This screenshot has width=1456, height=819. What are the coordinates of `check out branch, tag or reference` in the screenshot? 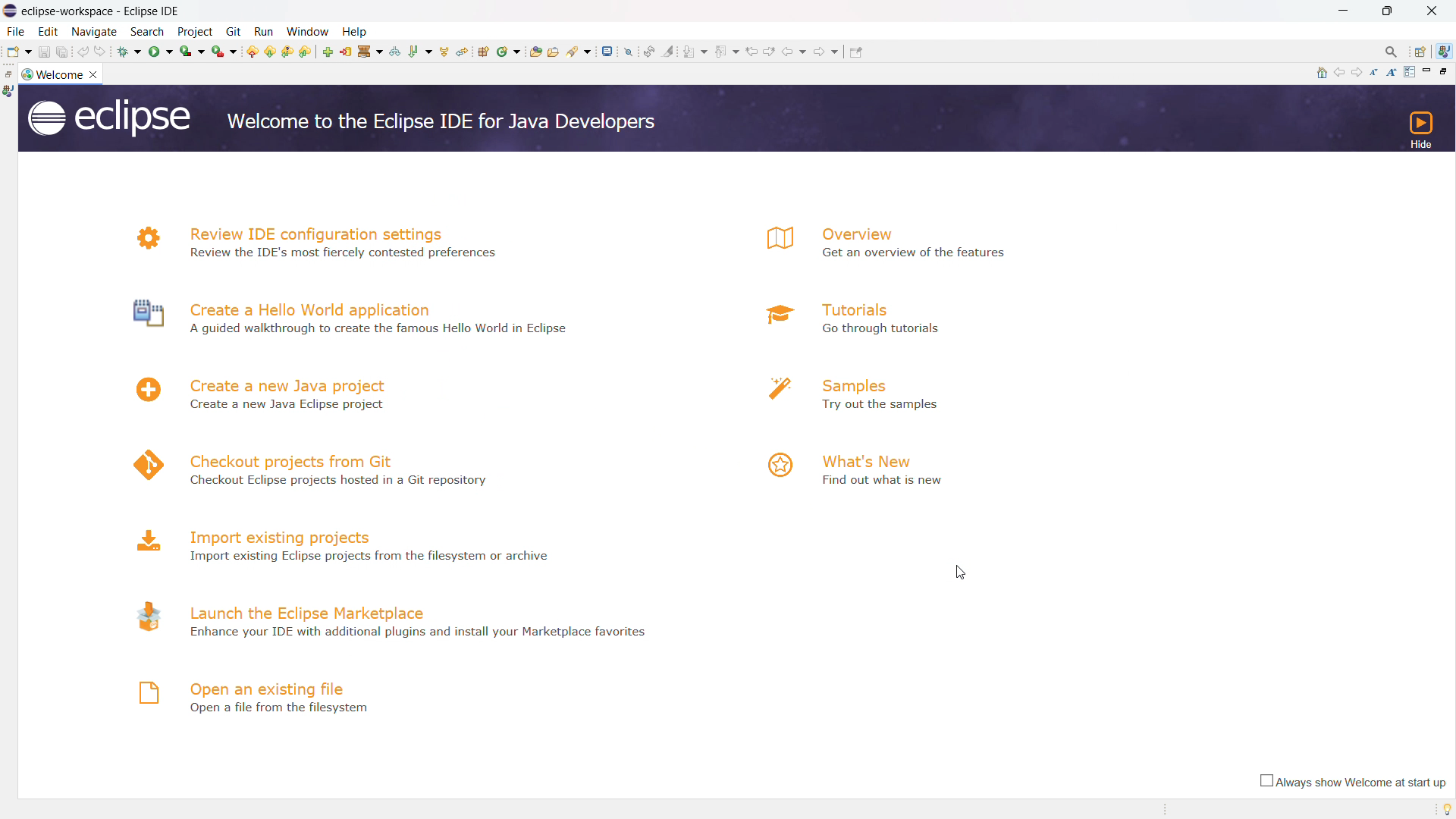 It's located at (394, 51).